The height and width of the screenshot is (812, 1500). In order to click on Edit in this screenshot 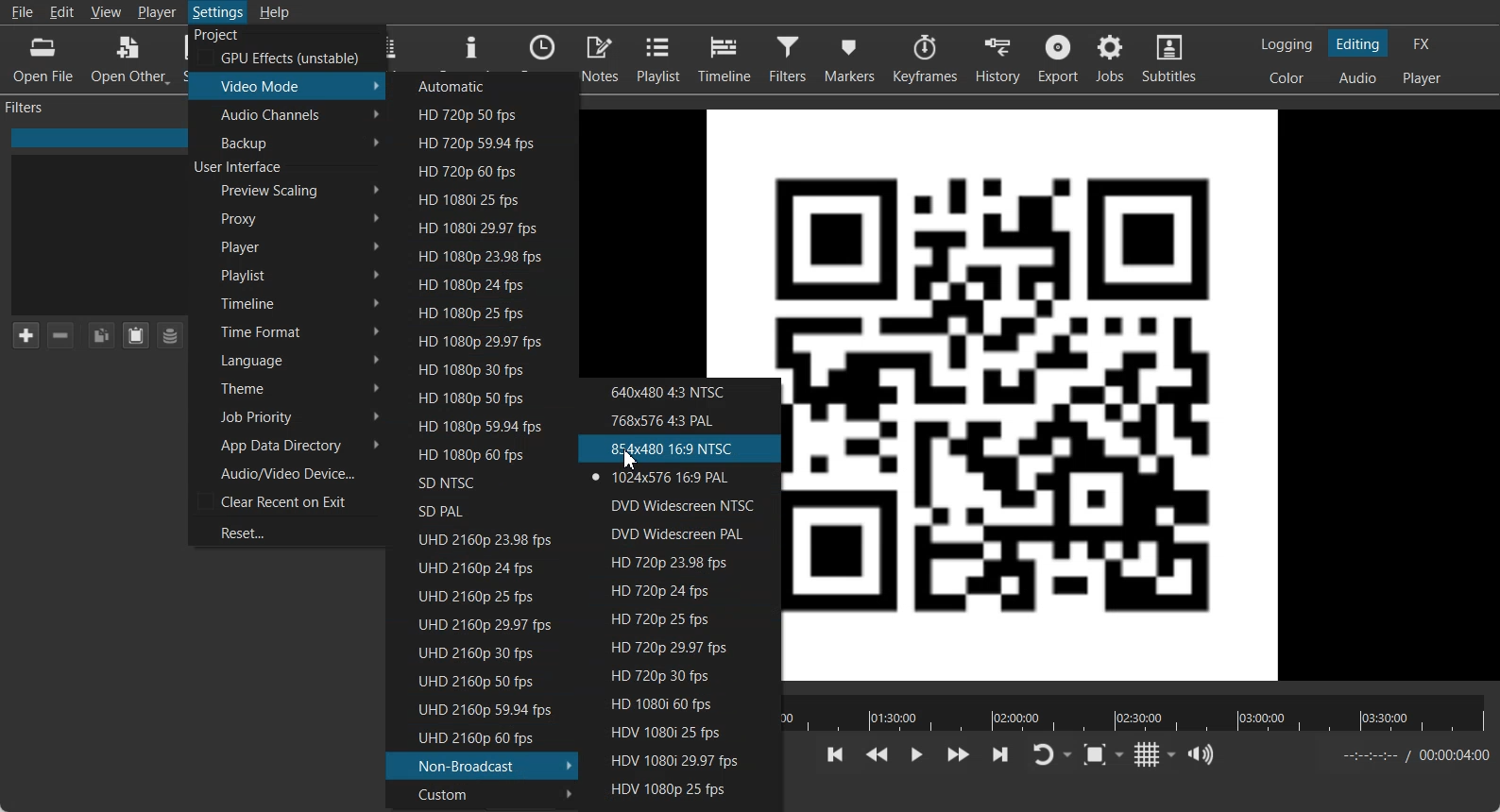, I will do `click(63, 11)`.